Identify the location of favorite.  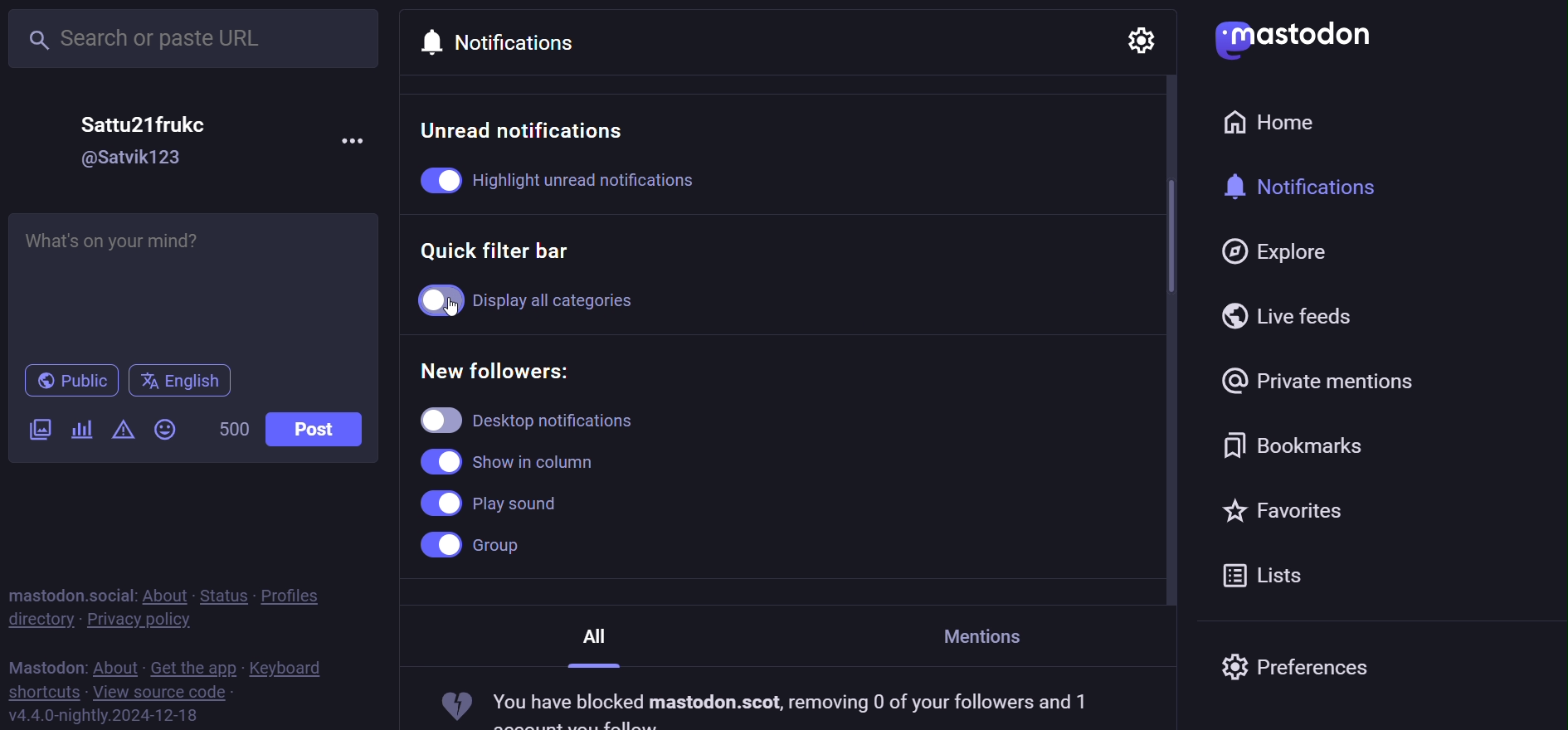
(1285, 509).